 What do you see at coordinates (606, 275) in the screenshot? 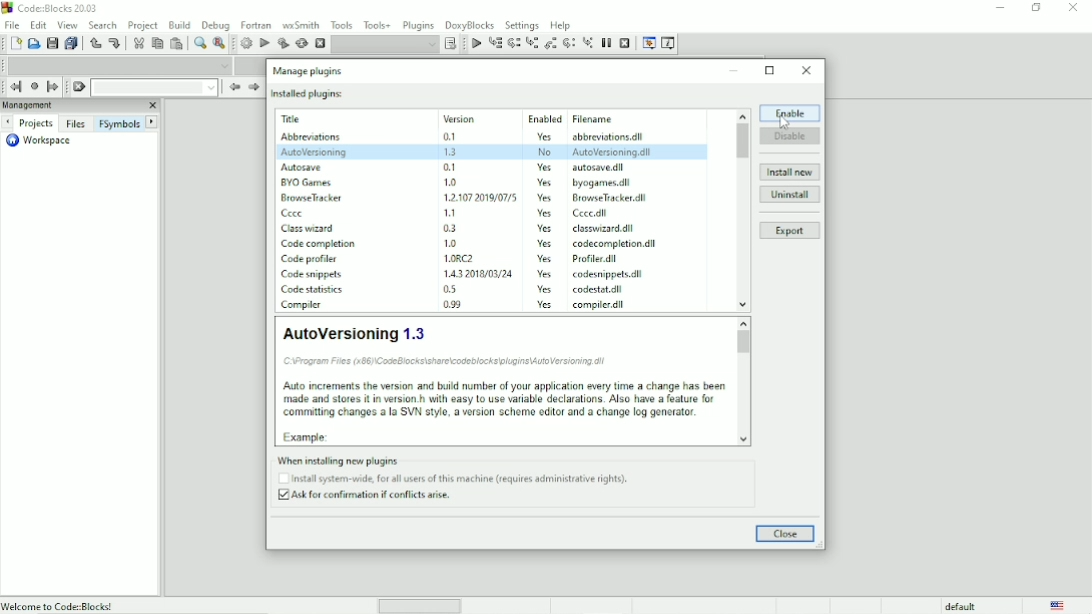
I see `file` at bounding box center [606, 275].